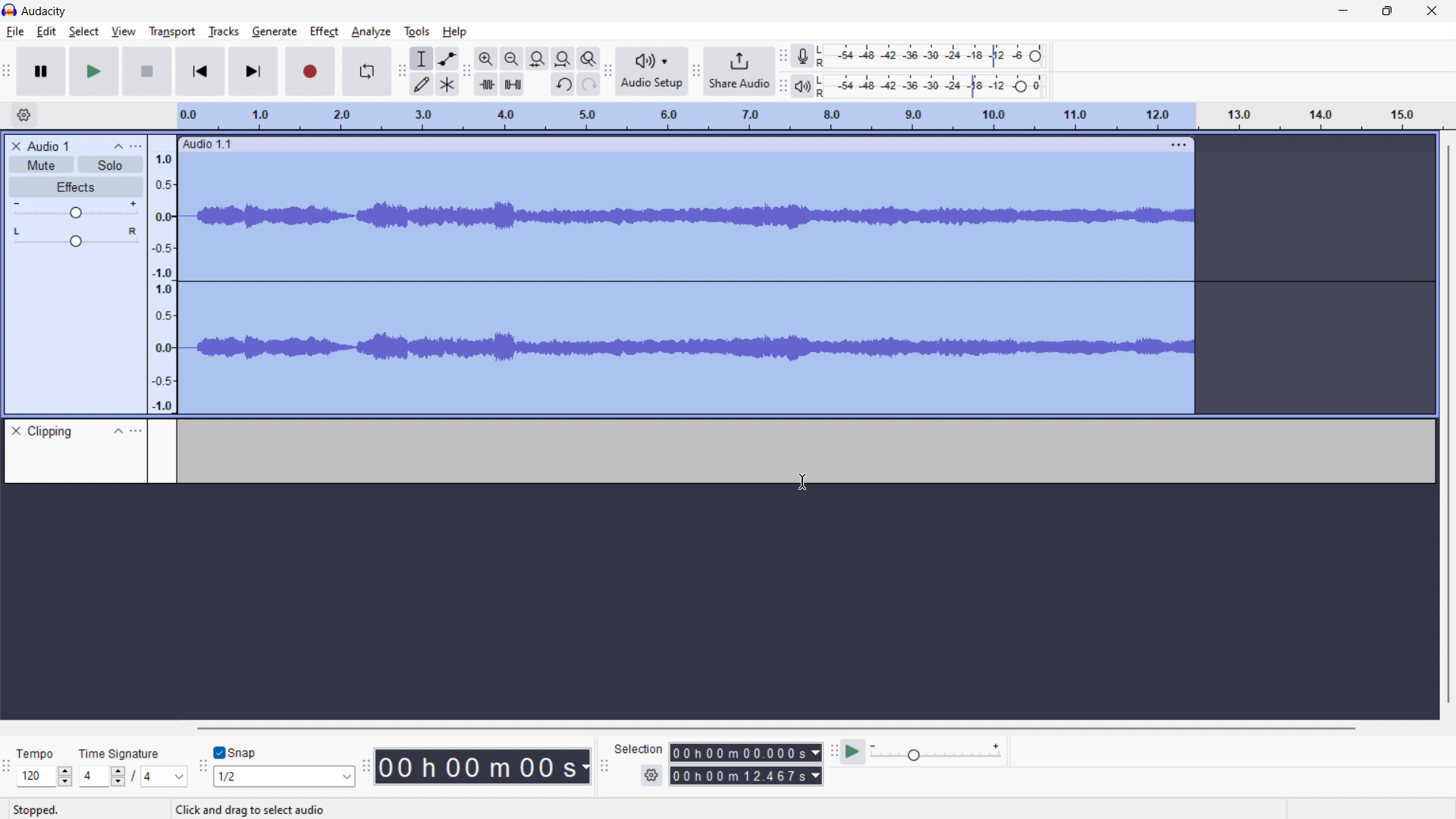 The width and height of the screenshot is (1456, 819). Describe the element at coordinates (237, 753) in the screenshot. I see `toggle snap` at that location.